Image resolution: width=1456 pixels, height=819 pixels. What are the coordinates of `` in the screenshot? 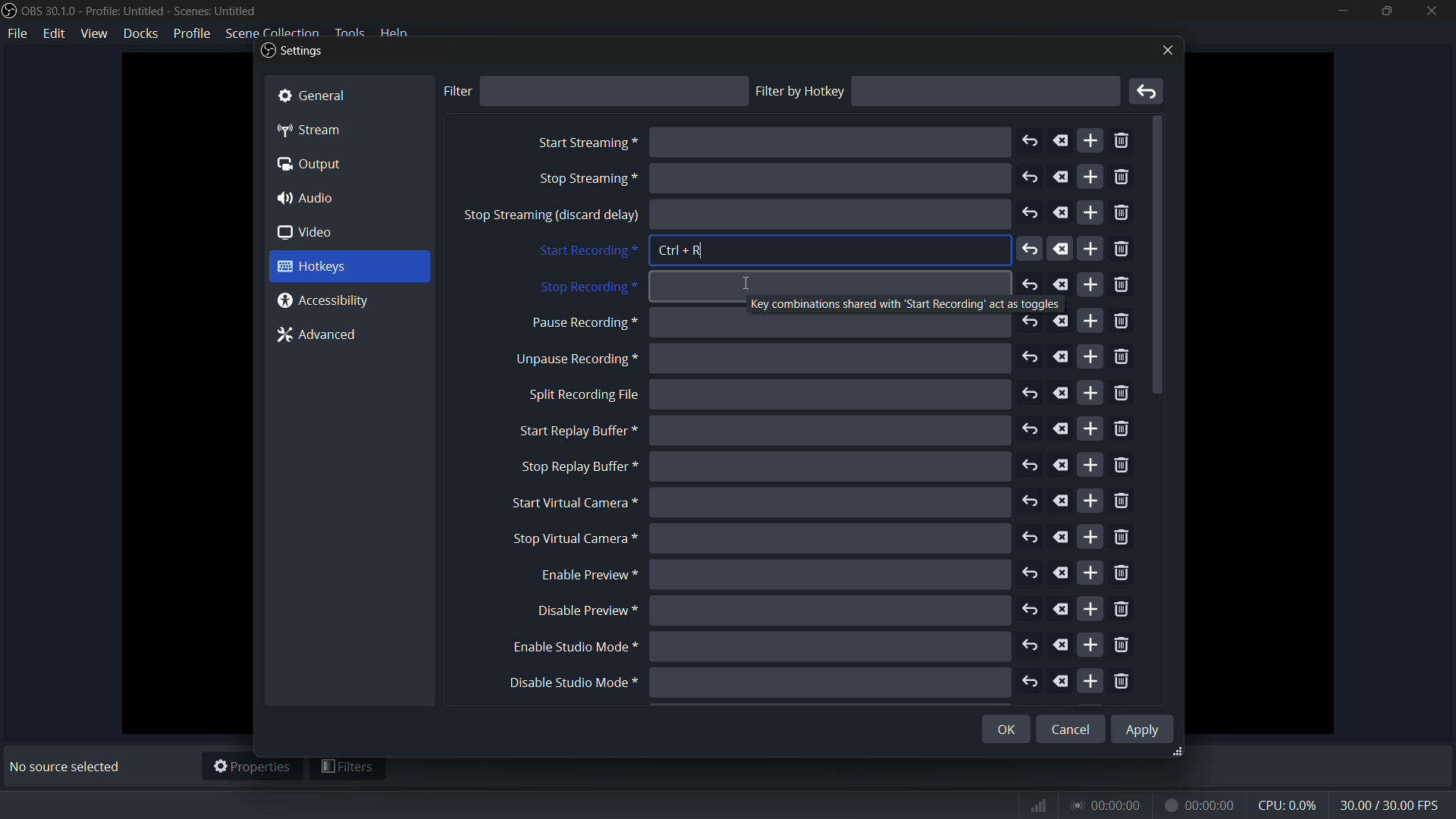 It's located at (1061, 177).